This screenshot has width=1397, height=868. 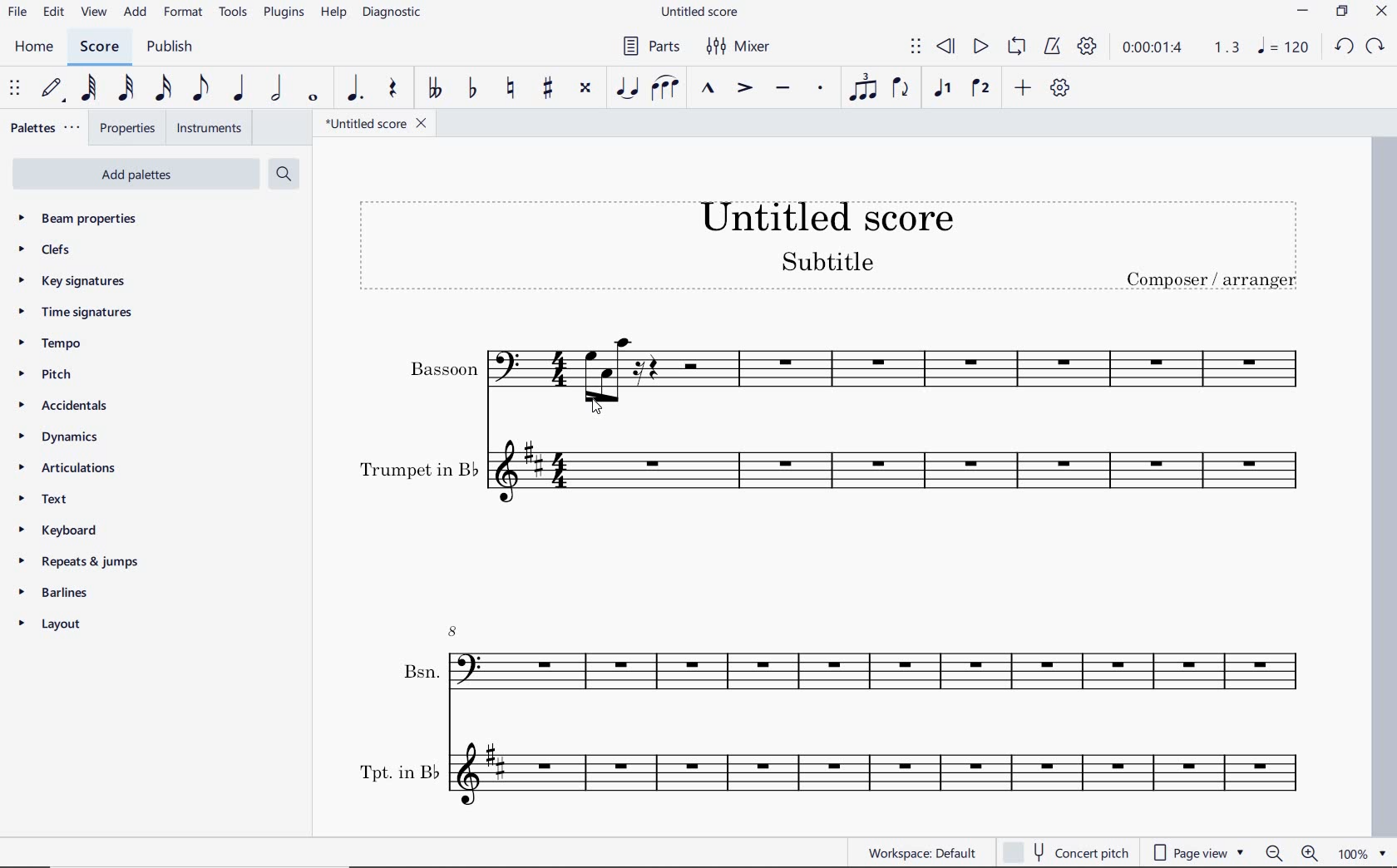 I want to click on loop playback, so click(x=1016, y=48).